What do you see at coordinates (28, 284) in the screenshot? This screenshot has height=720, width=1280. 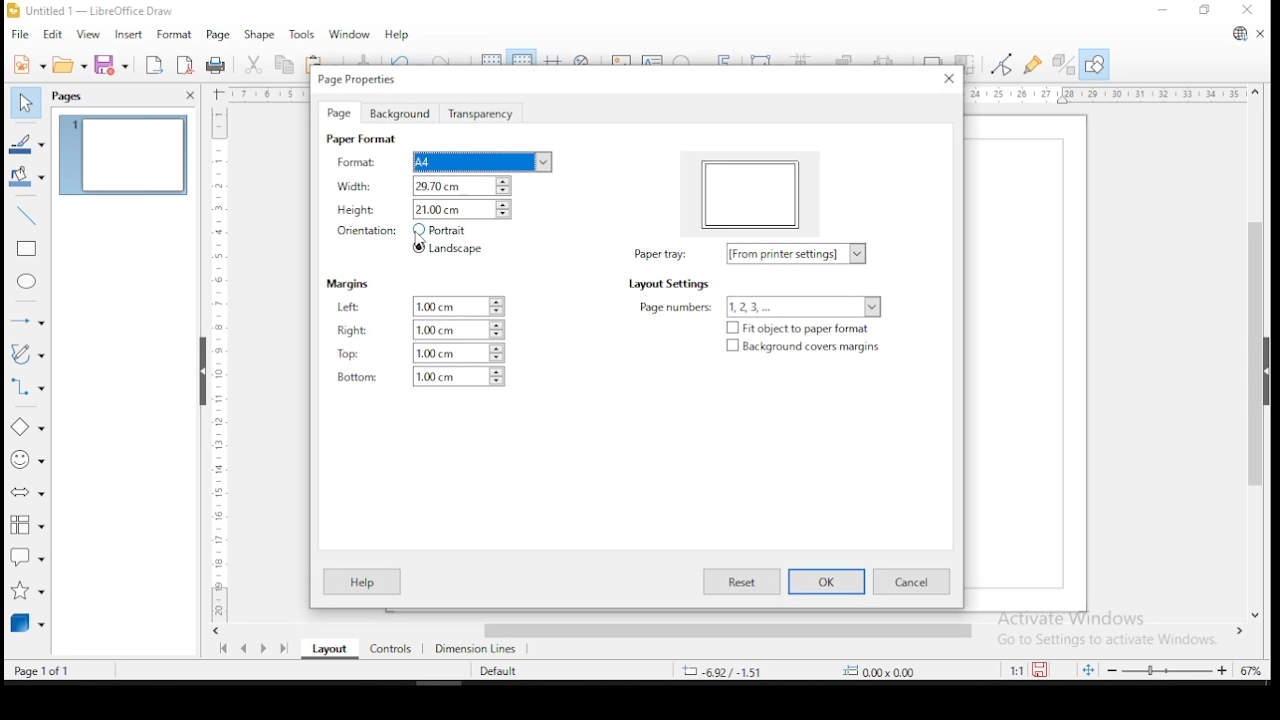 I see `ellipse` at bounding box center [28, 284].